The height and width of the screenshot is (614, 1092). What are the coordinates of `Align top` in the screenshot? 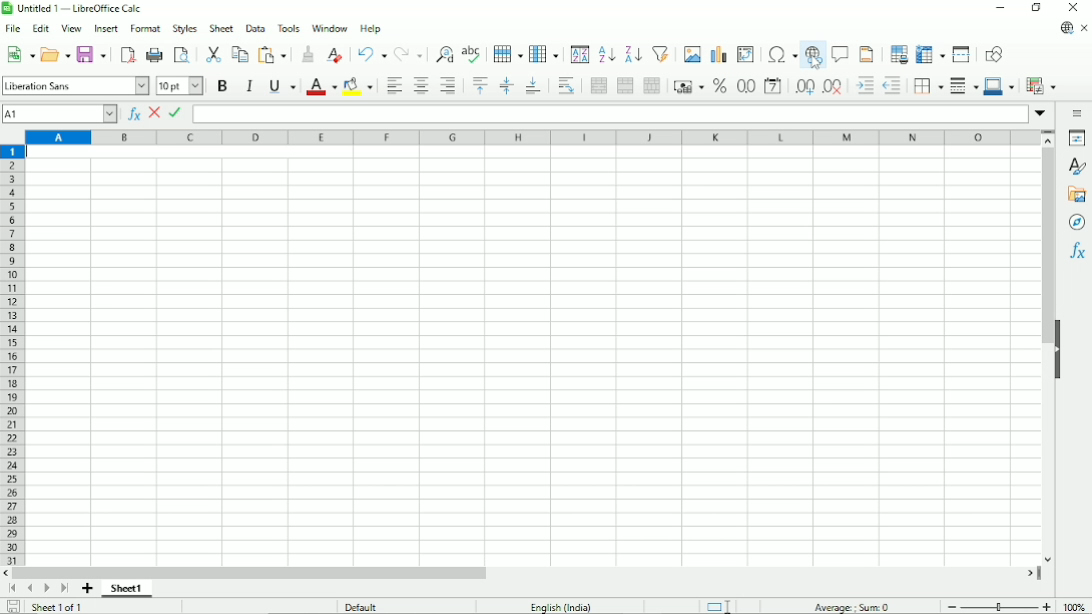 It's located at (479, 85).